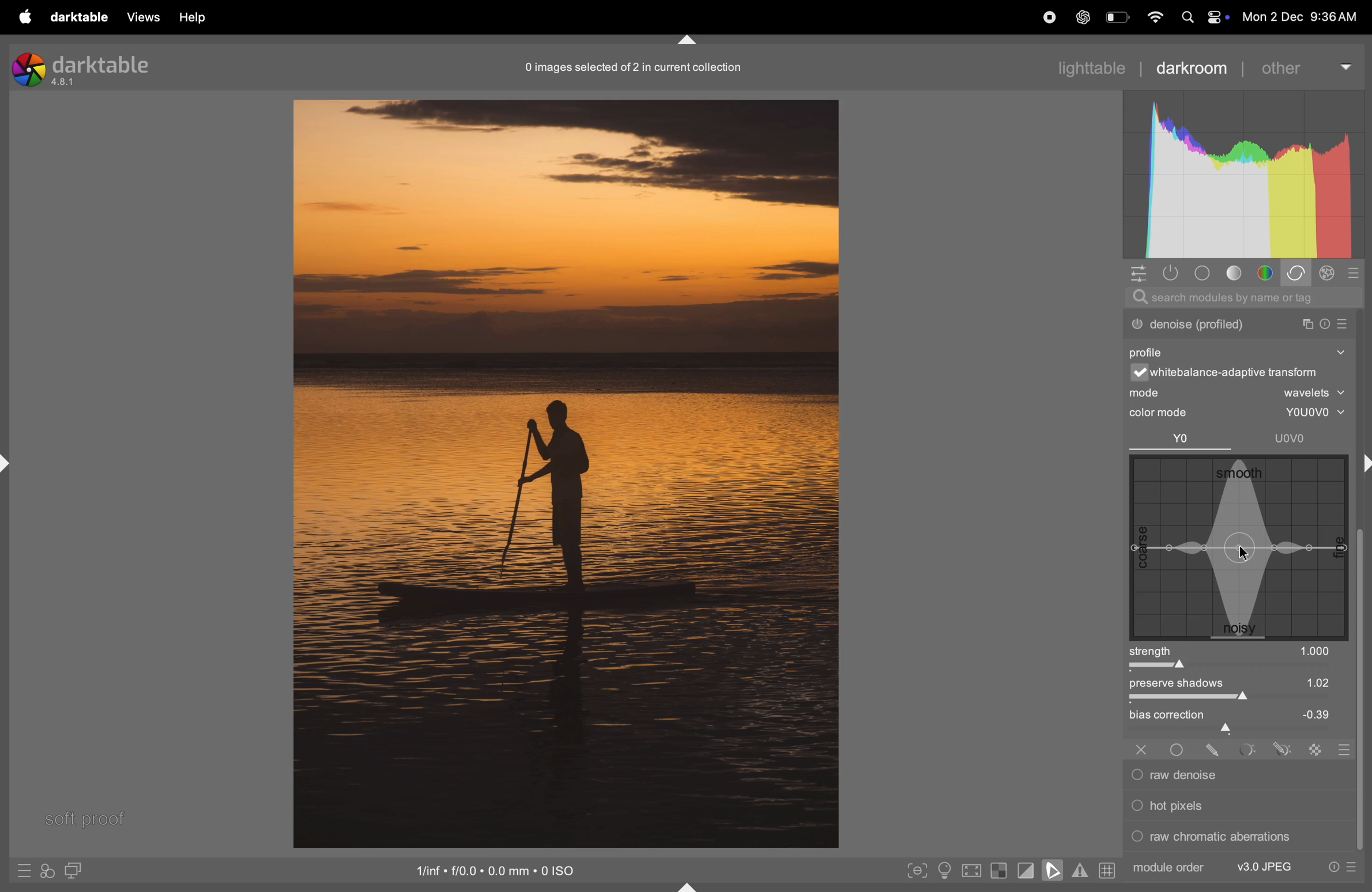  Describe the element at coordinates (47, 872) in the screenshot. I see `quick acess to ypur styles` at that location.